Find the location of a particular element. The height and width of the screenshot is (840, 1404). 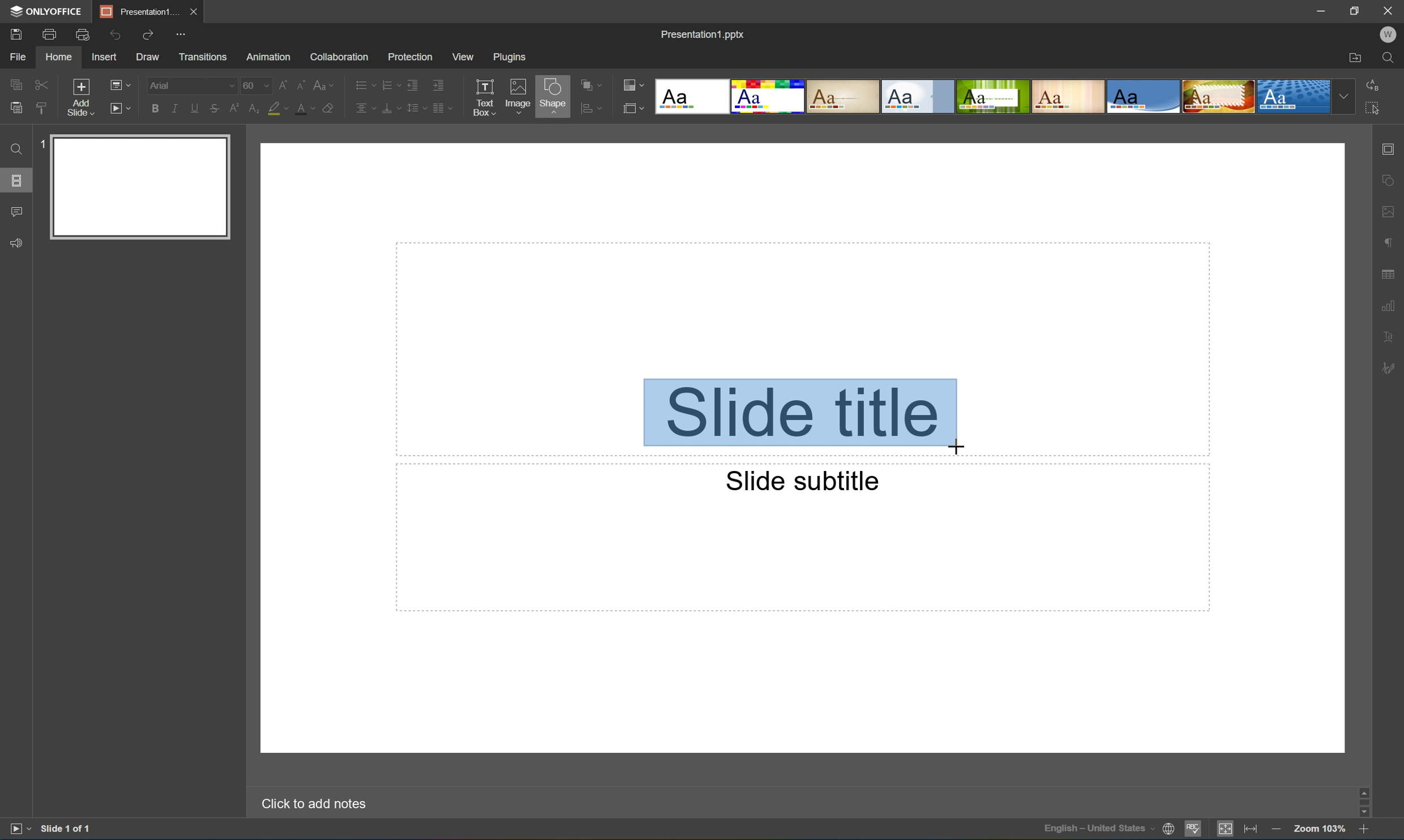

icon is located at coordinates (631, 107).